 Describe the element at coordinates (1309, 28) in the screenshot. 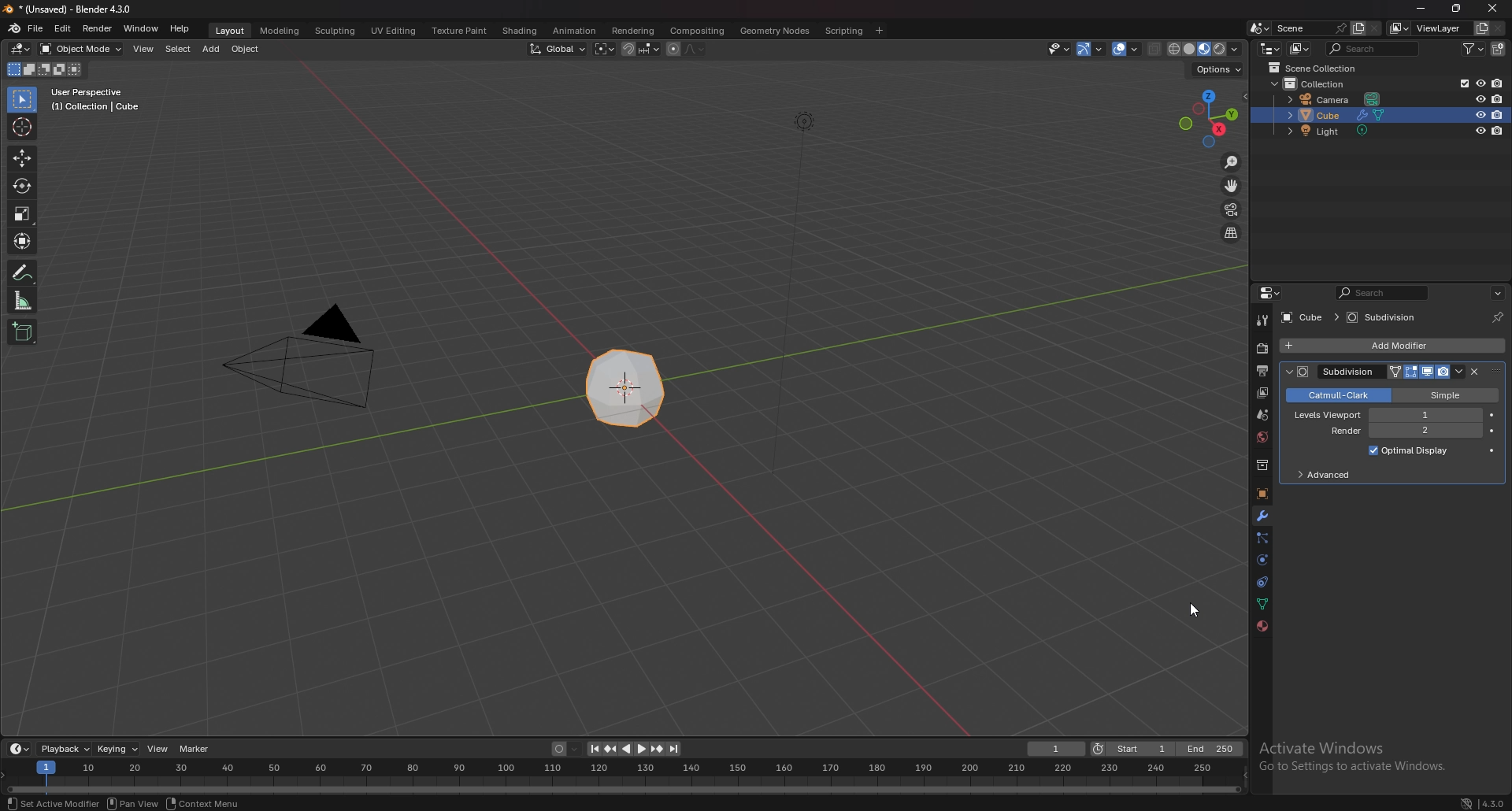

I see `scene` at that location.